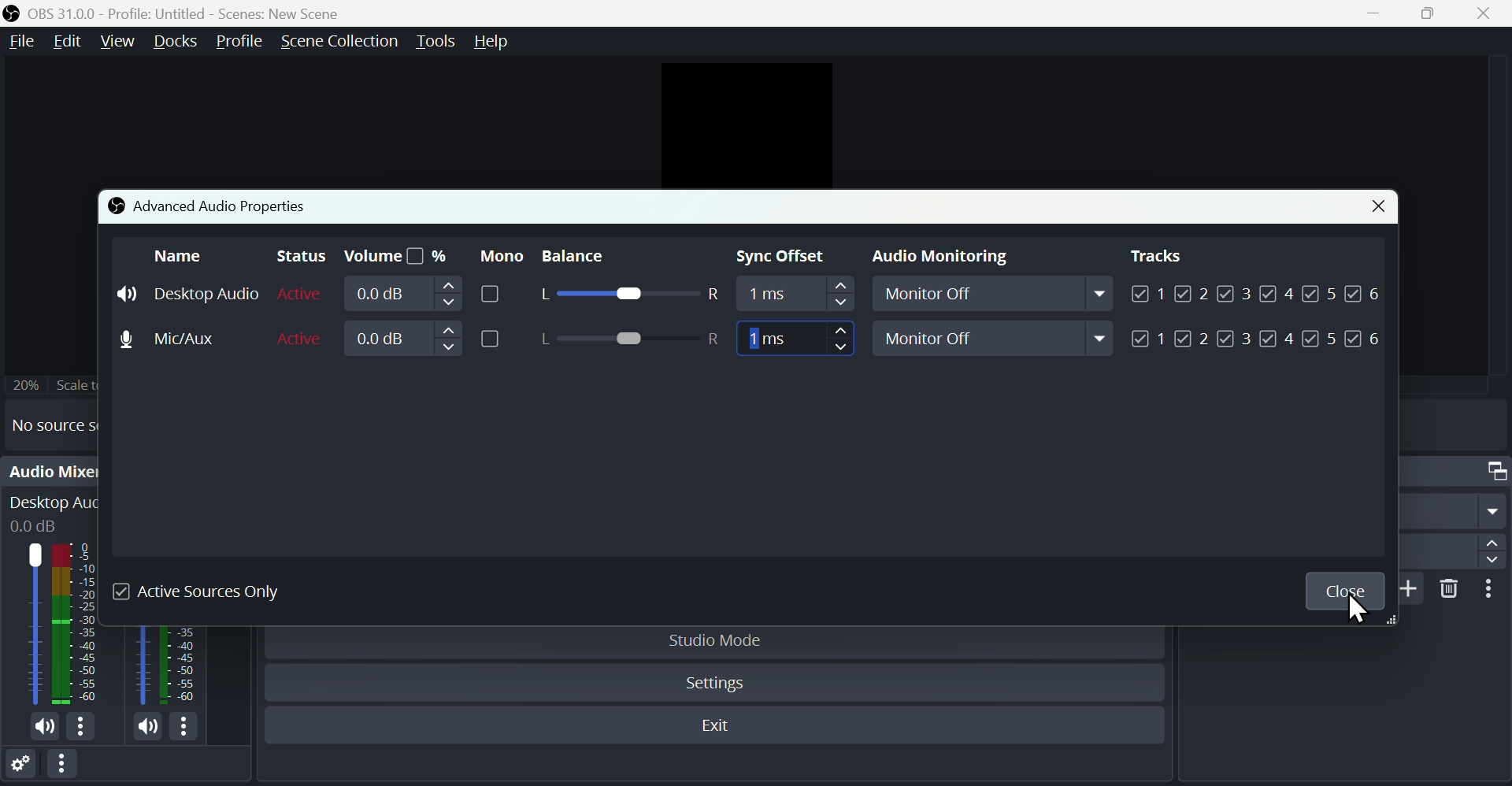  What do you see at coordinates (180, 255) in the screenshot?
I see `Name` at bounding box center [180, 255].